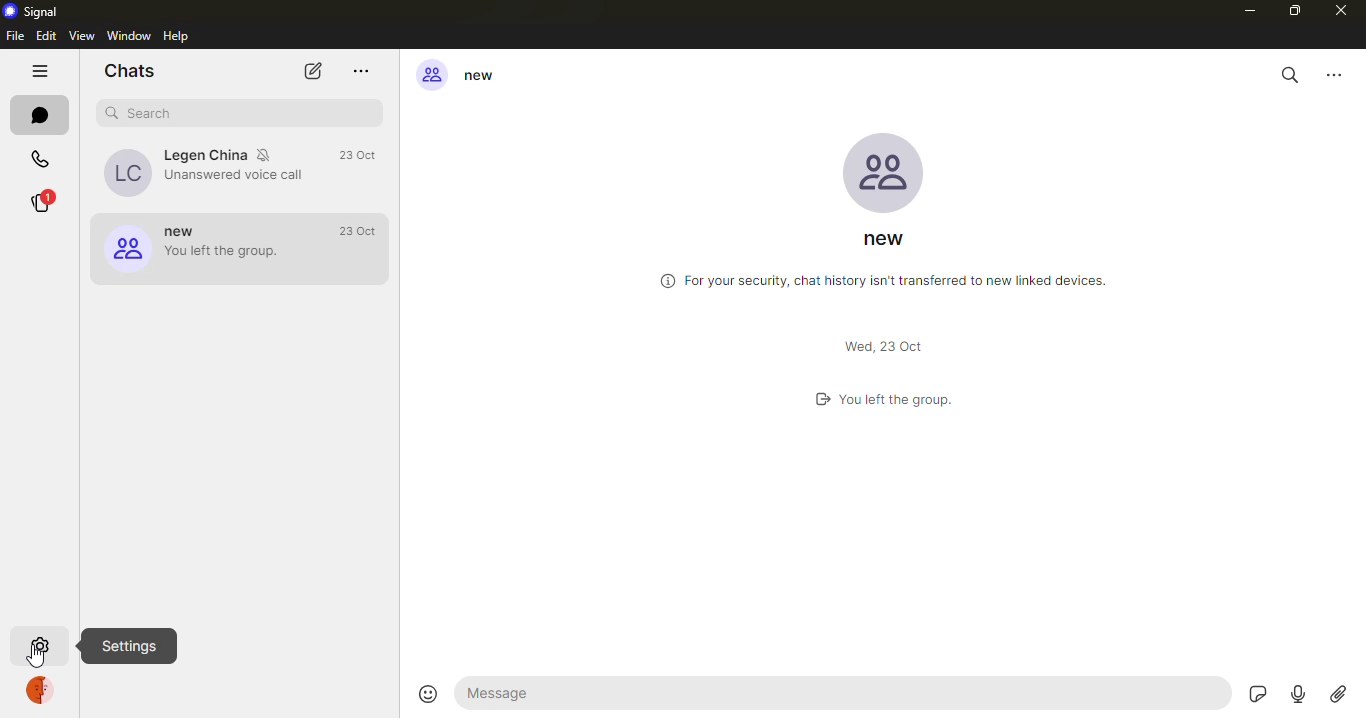 The image size is (1366, 718). What do you see at coordinates (1298, 697) in the screenshot?
I see `record` at bounding box center [1298, 697].